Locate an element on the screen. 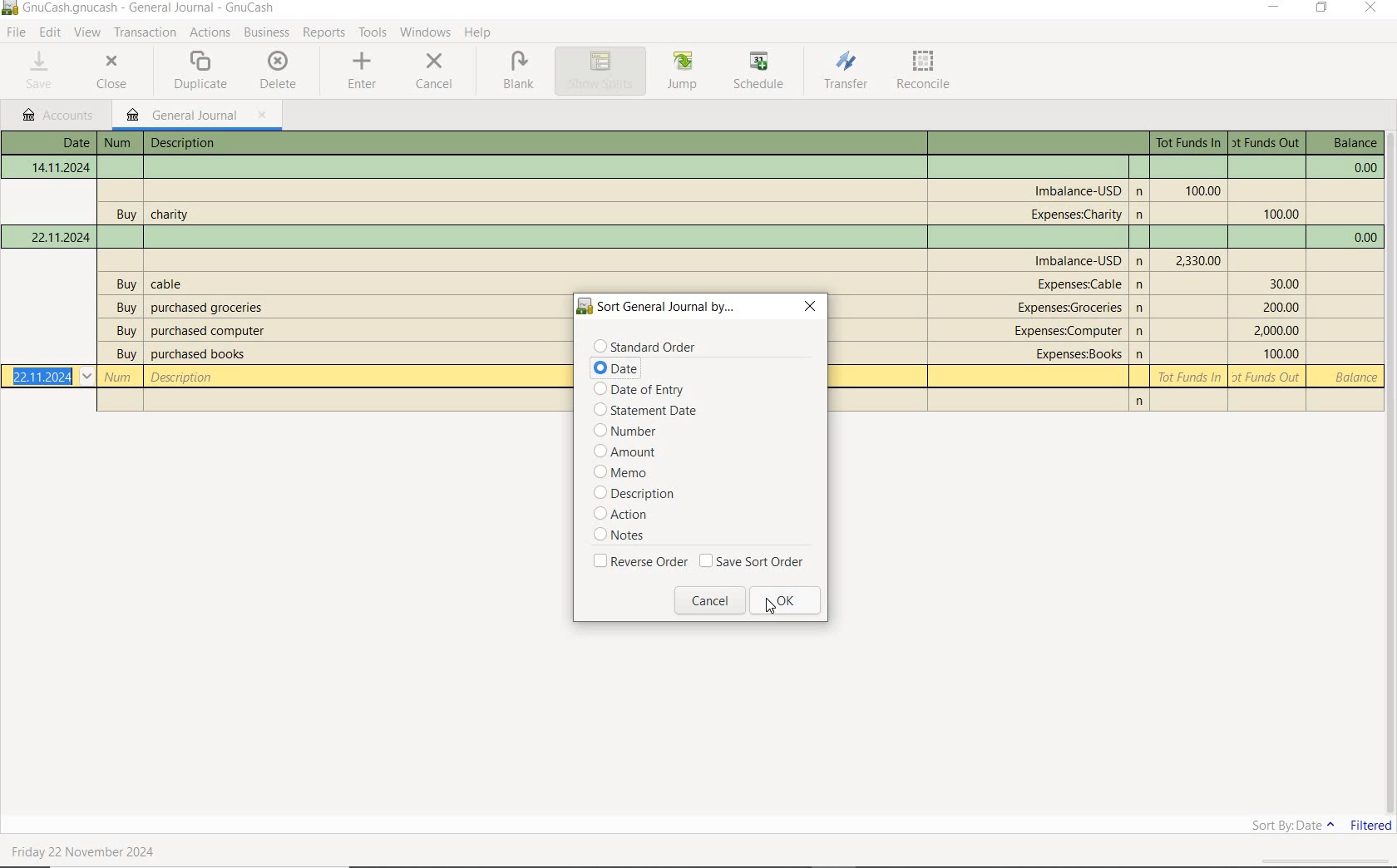 This screenshot has height=868, width=1397. description is located at coordinates (213, 308).